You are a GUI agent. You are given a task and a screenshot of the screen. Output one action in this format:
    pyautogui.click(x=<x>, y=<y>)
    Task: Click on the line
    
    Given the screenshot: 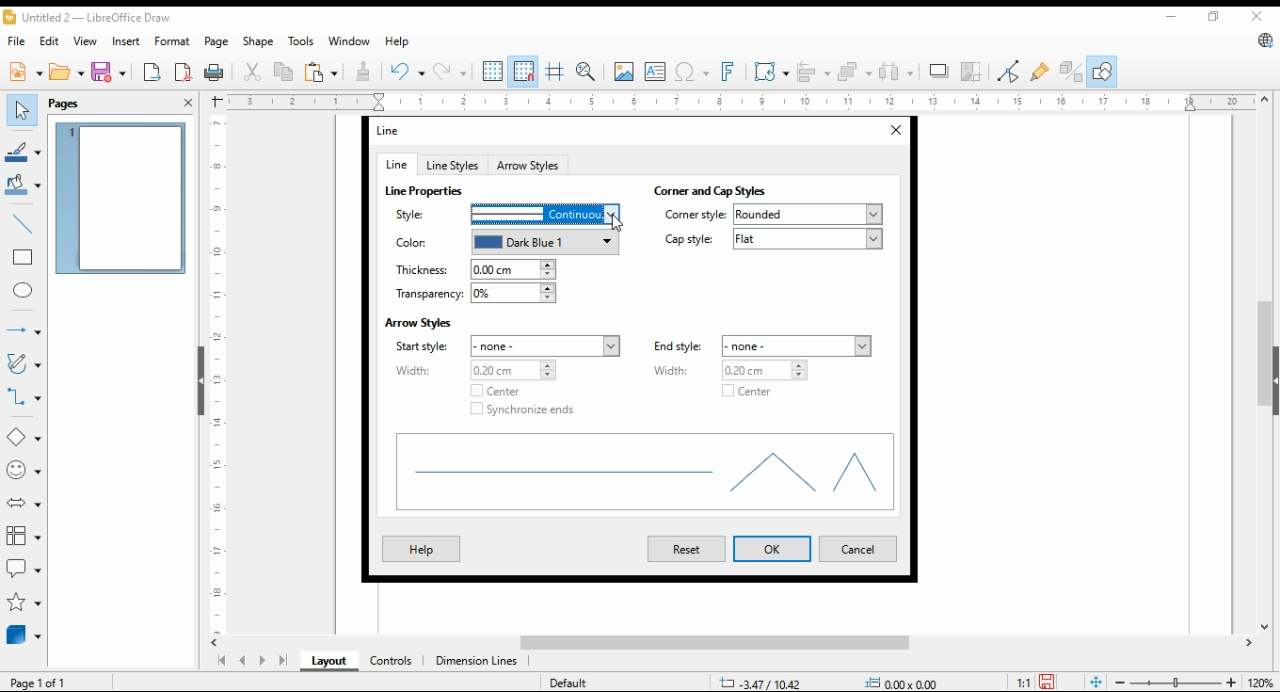 What is the action you would take?
    pyautogui.click(x=395, y=164)
    